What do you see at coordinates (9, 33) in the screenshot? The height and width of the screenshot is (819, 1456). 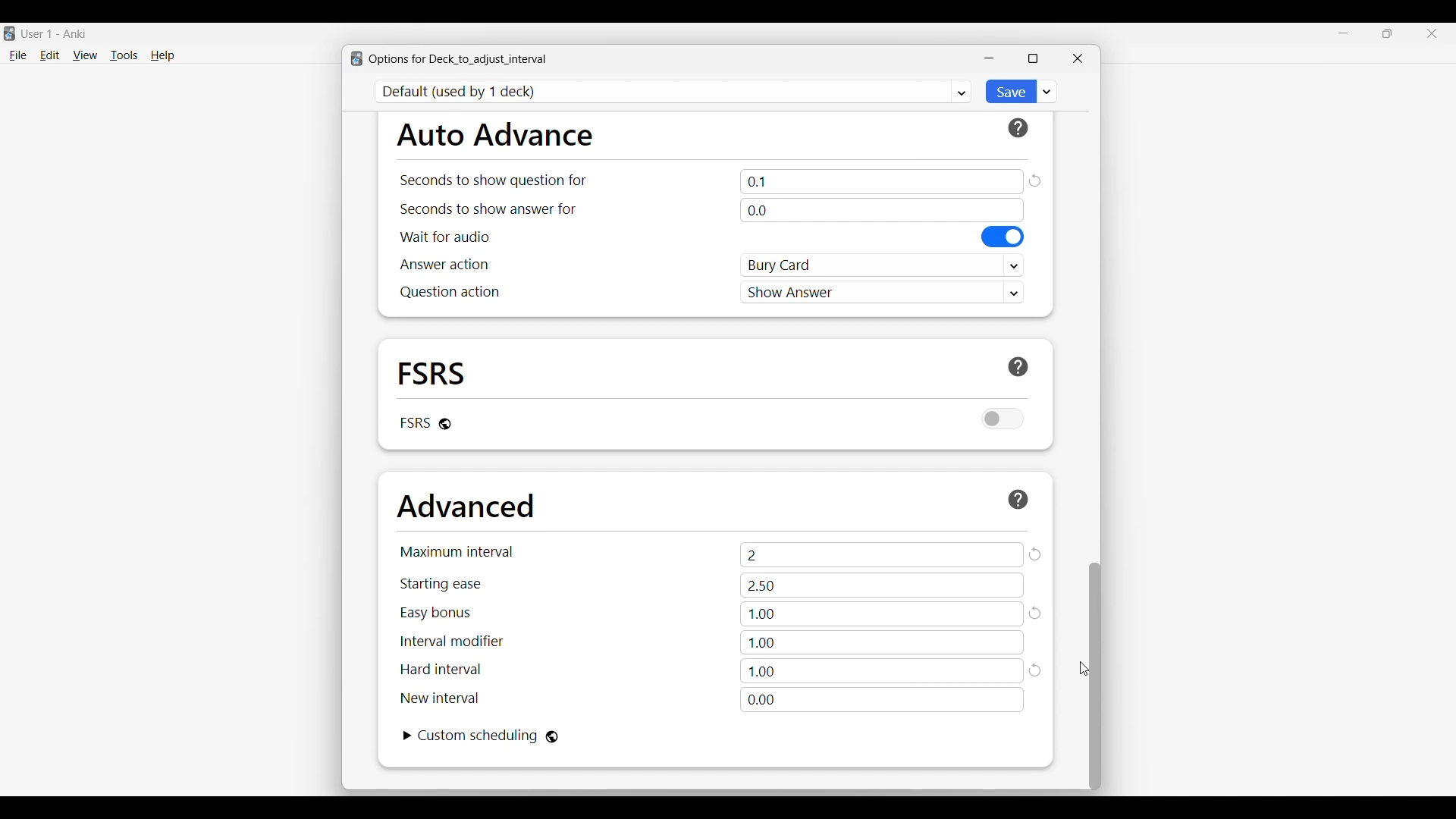 I see `Software logo` at bounding box center [9, 33].